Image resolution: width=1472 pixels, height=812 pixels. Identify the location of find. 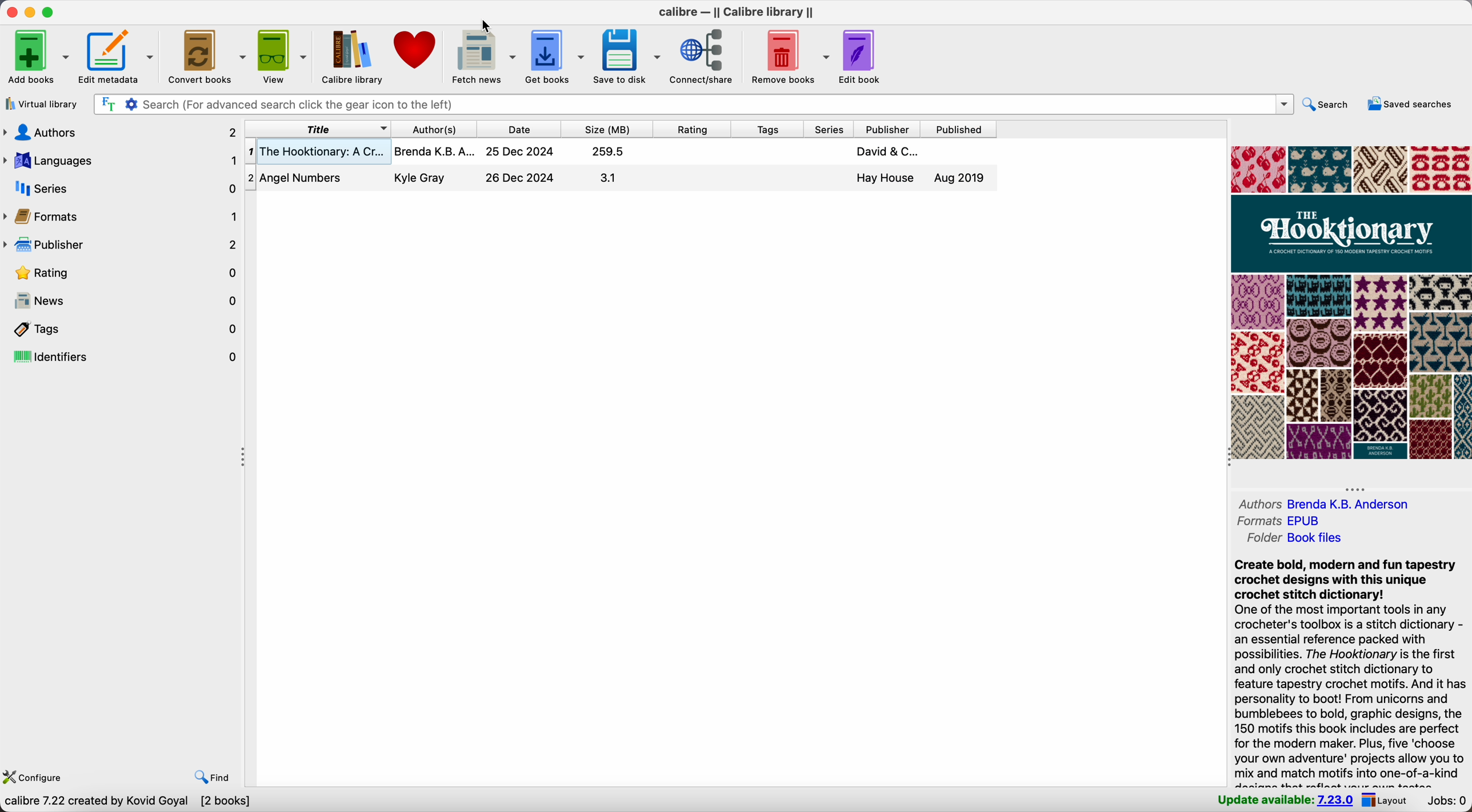
(214, 778).